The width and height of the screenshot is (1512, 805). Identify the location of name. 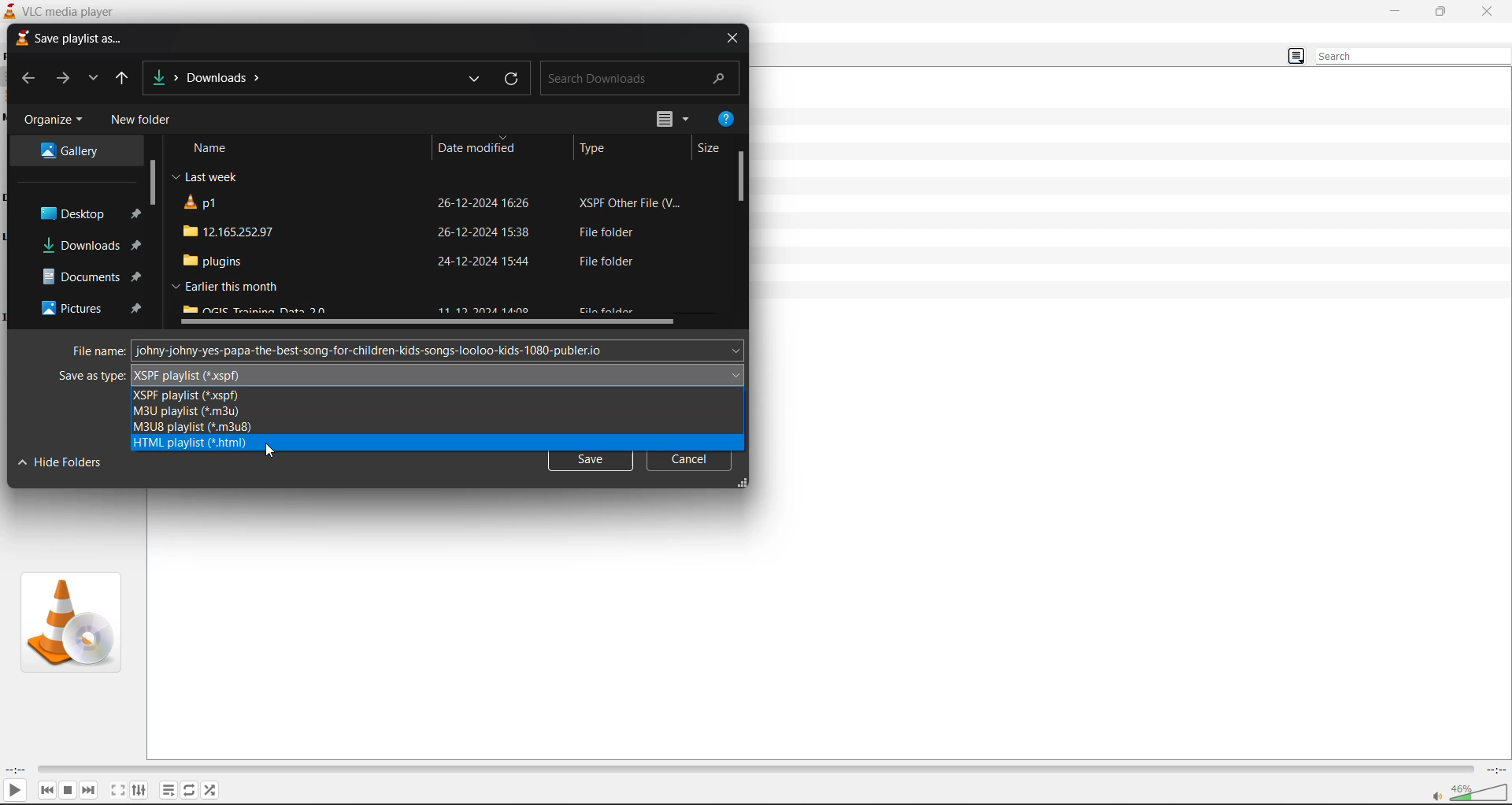
(207, 148).